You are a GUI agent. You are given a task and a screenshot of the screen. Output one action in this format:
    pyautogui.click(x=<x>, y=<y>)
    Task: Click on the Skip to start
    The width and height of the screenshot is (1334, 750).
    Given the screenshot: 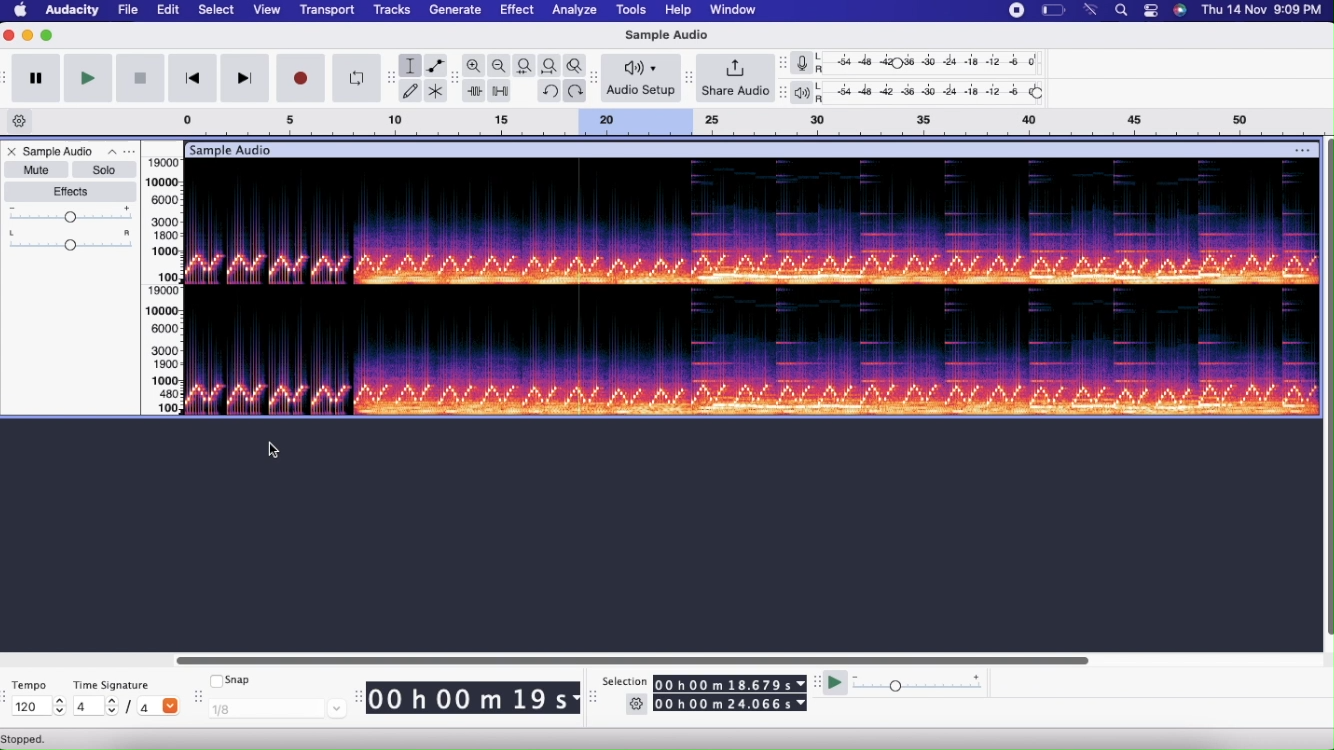 What is the action you would take?
    pyautogui.click(x=193, y=77)
    